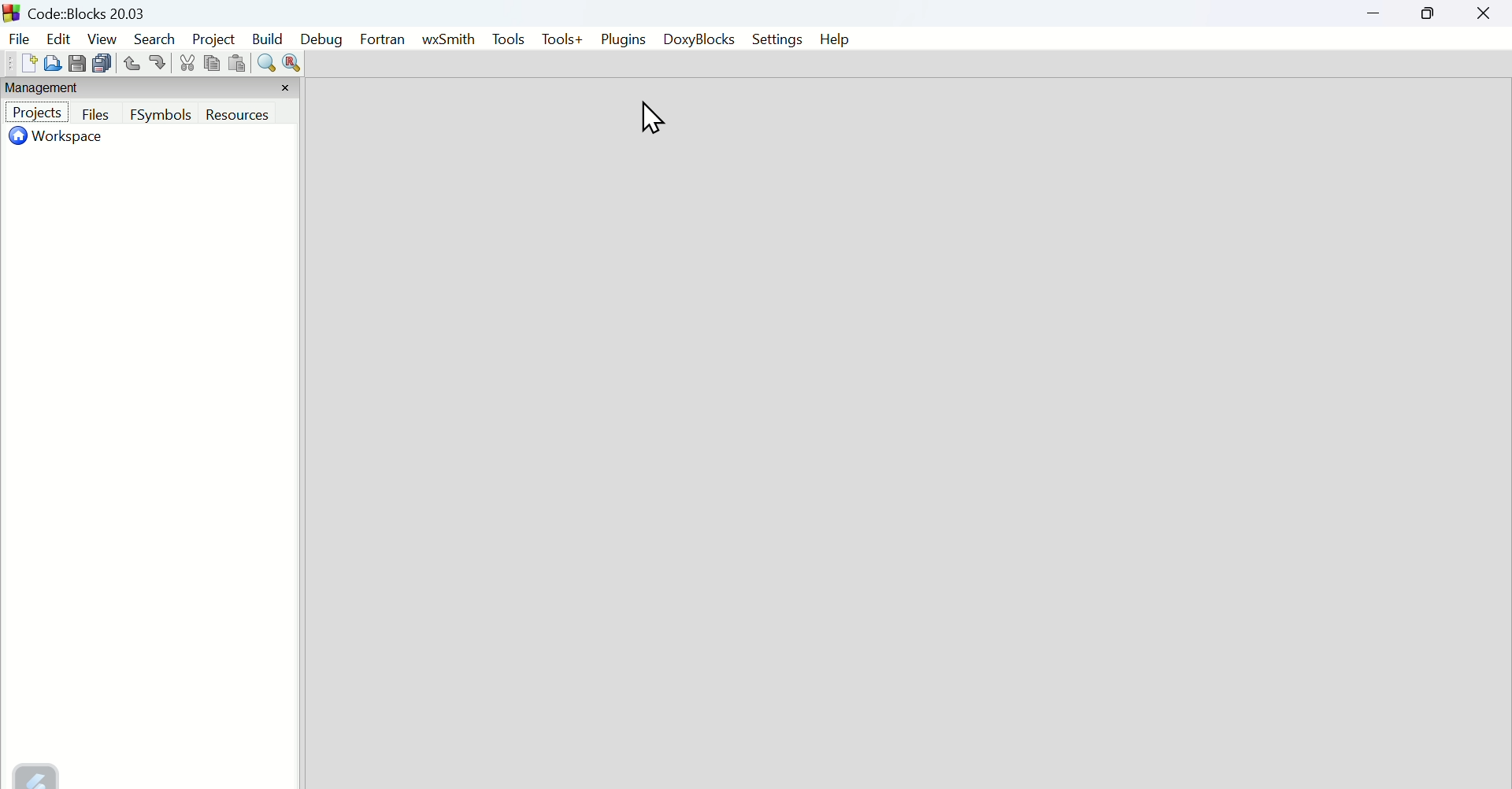  Describe the element at coordinates (37, 112) in the screenshot. I see `Project` at that location.